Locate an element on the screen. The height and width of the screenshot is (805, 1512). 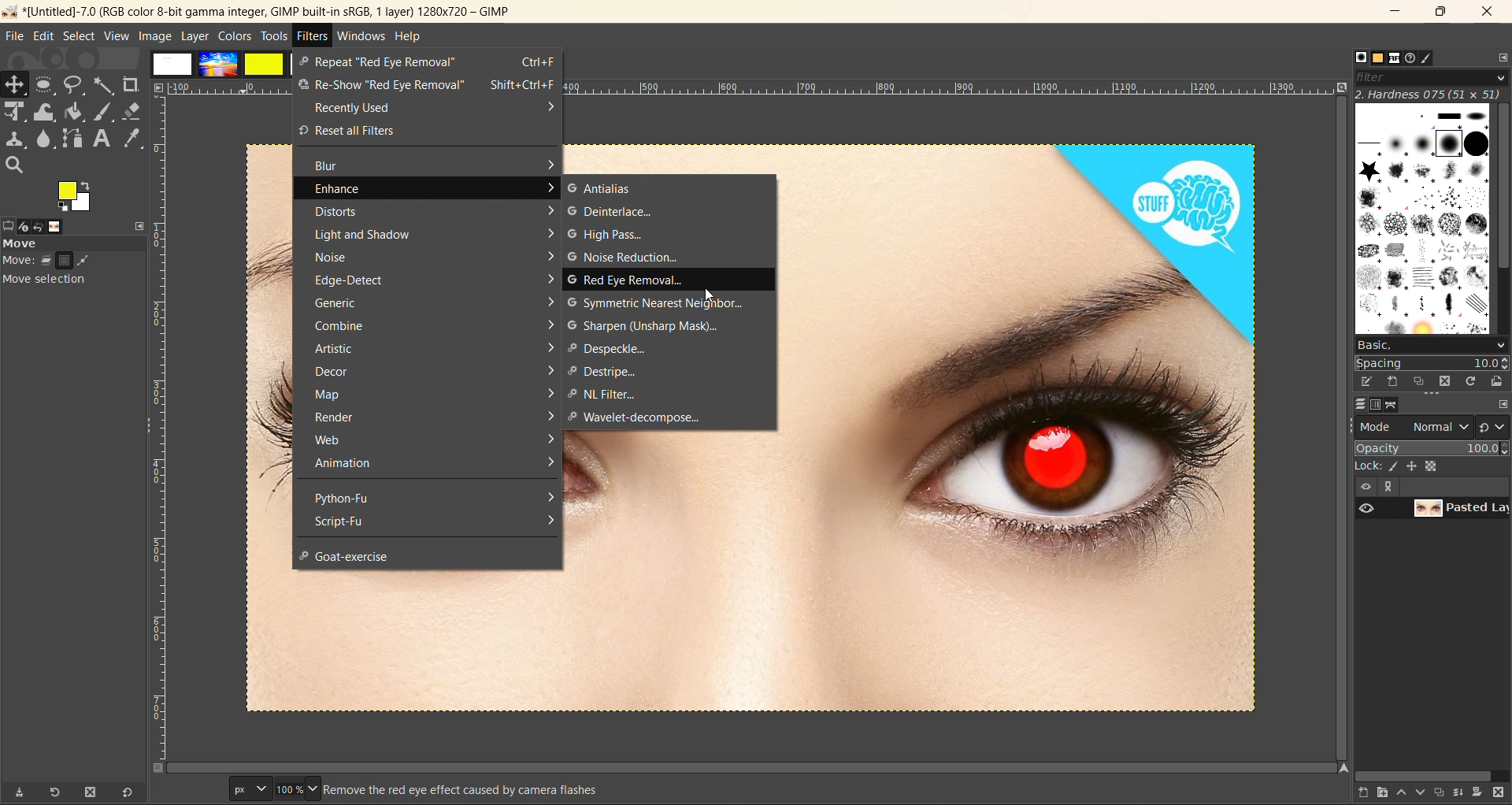
open brush as image is located at coordinates (1497, 383).